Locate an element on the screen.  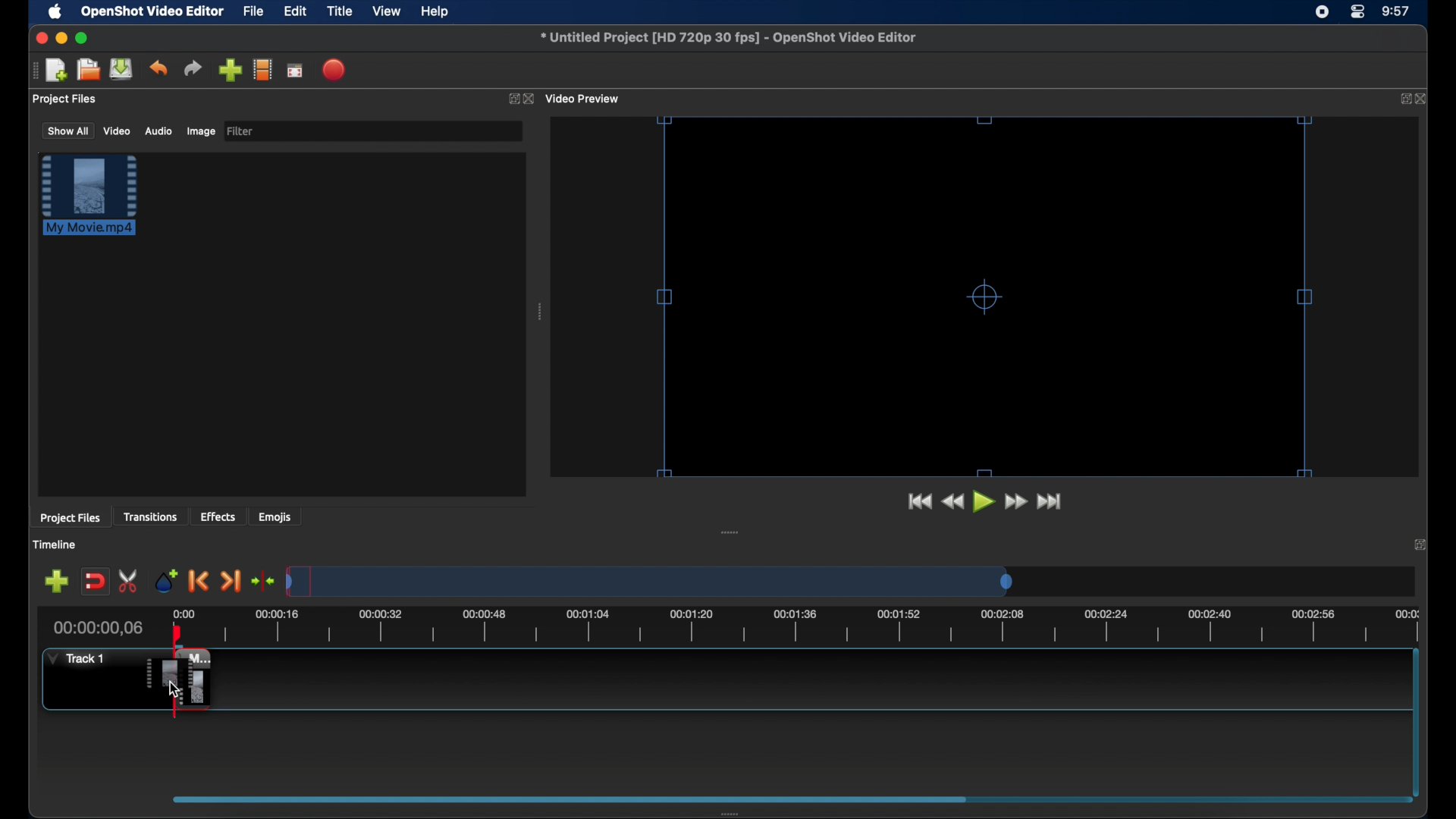
drag handle is located at coordinates (730, 532).